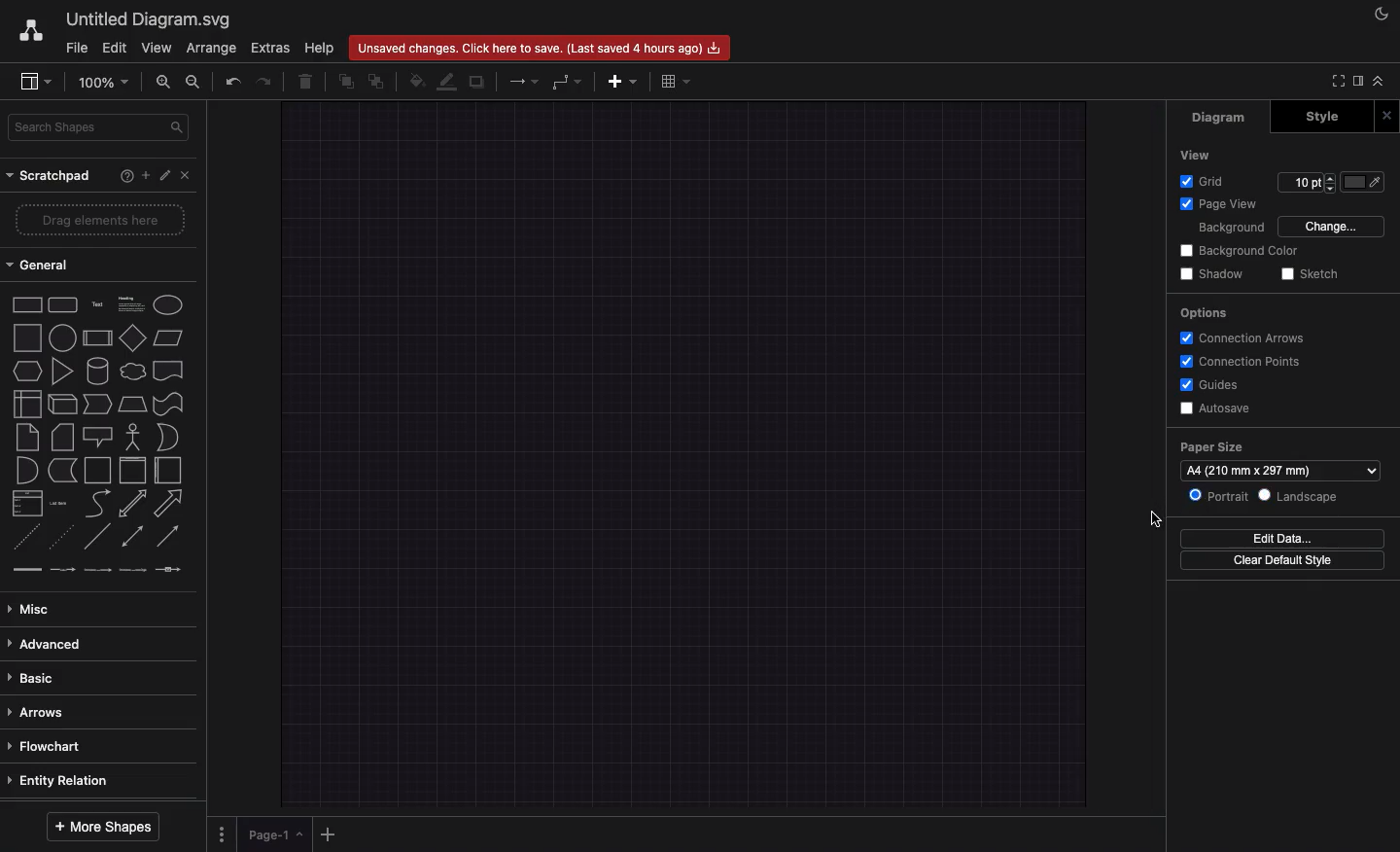  I want to click on Close, so click(1390, 120).